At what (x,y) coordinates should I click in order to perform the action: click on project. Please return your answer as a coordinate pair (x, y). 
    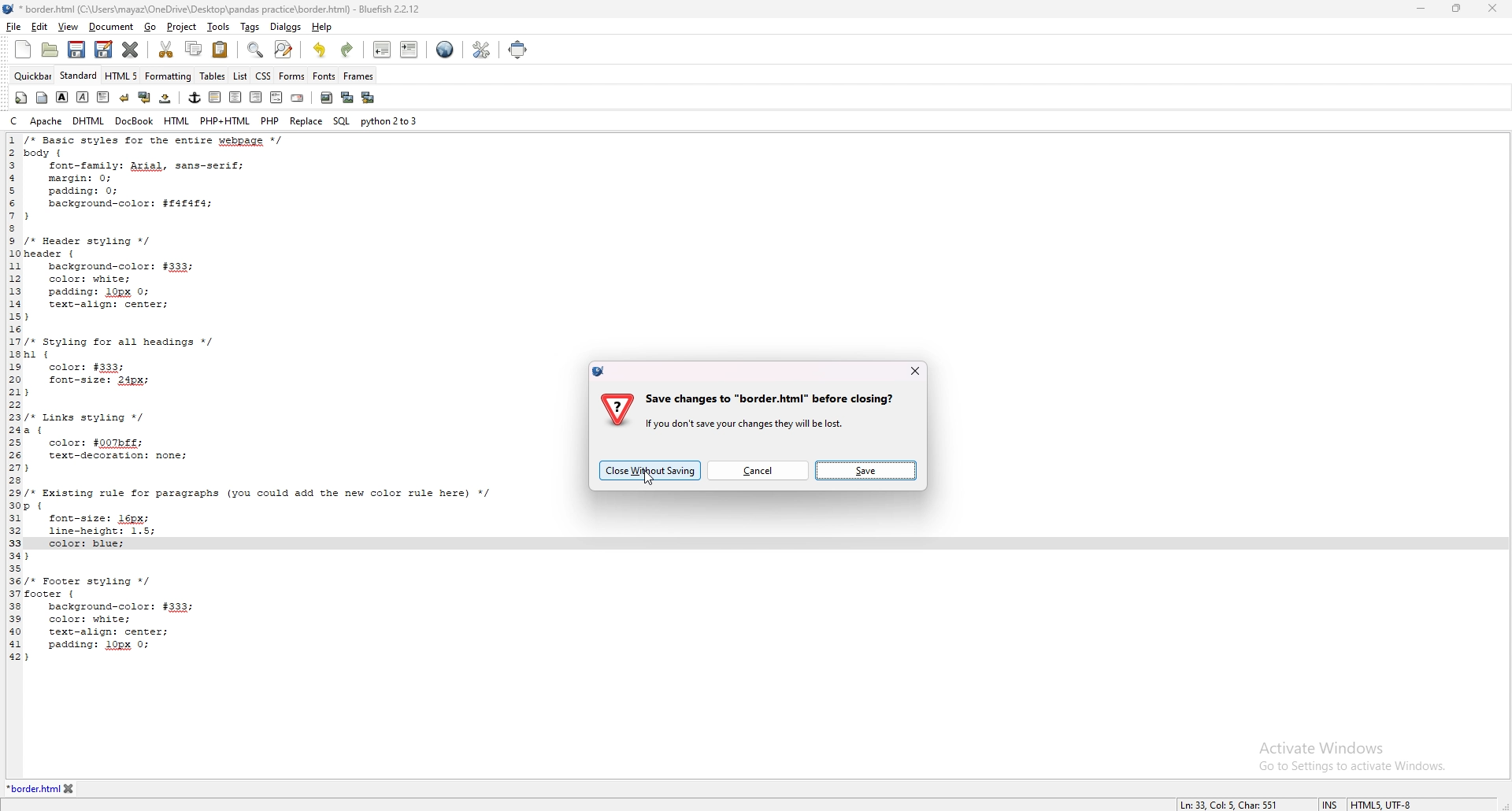
    Looking at the image, I should click on (183, 27).